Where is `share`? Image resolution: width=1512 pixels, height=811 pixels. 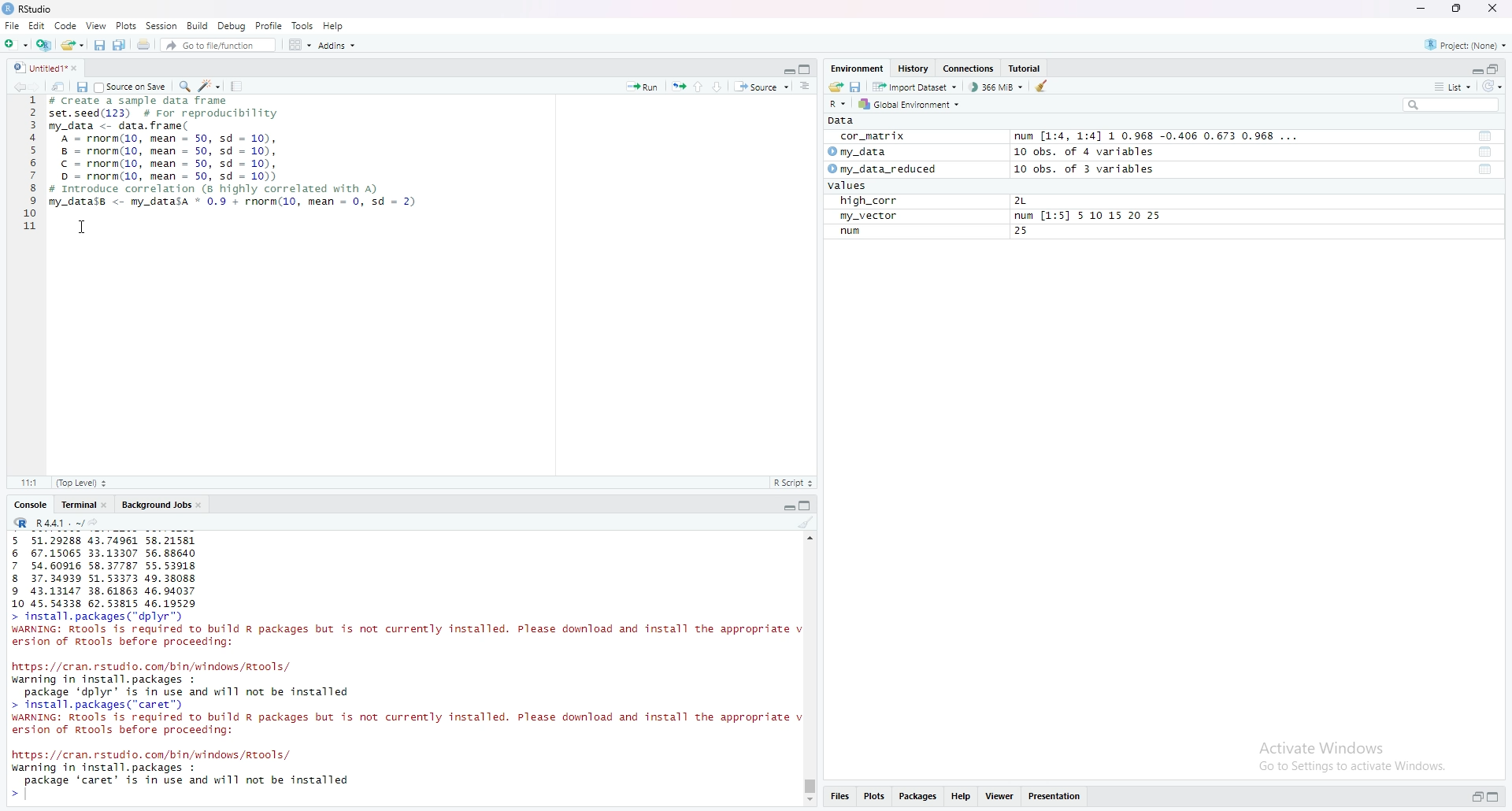 share is located at coordinates (144, 43).